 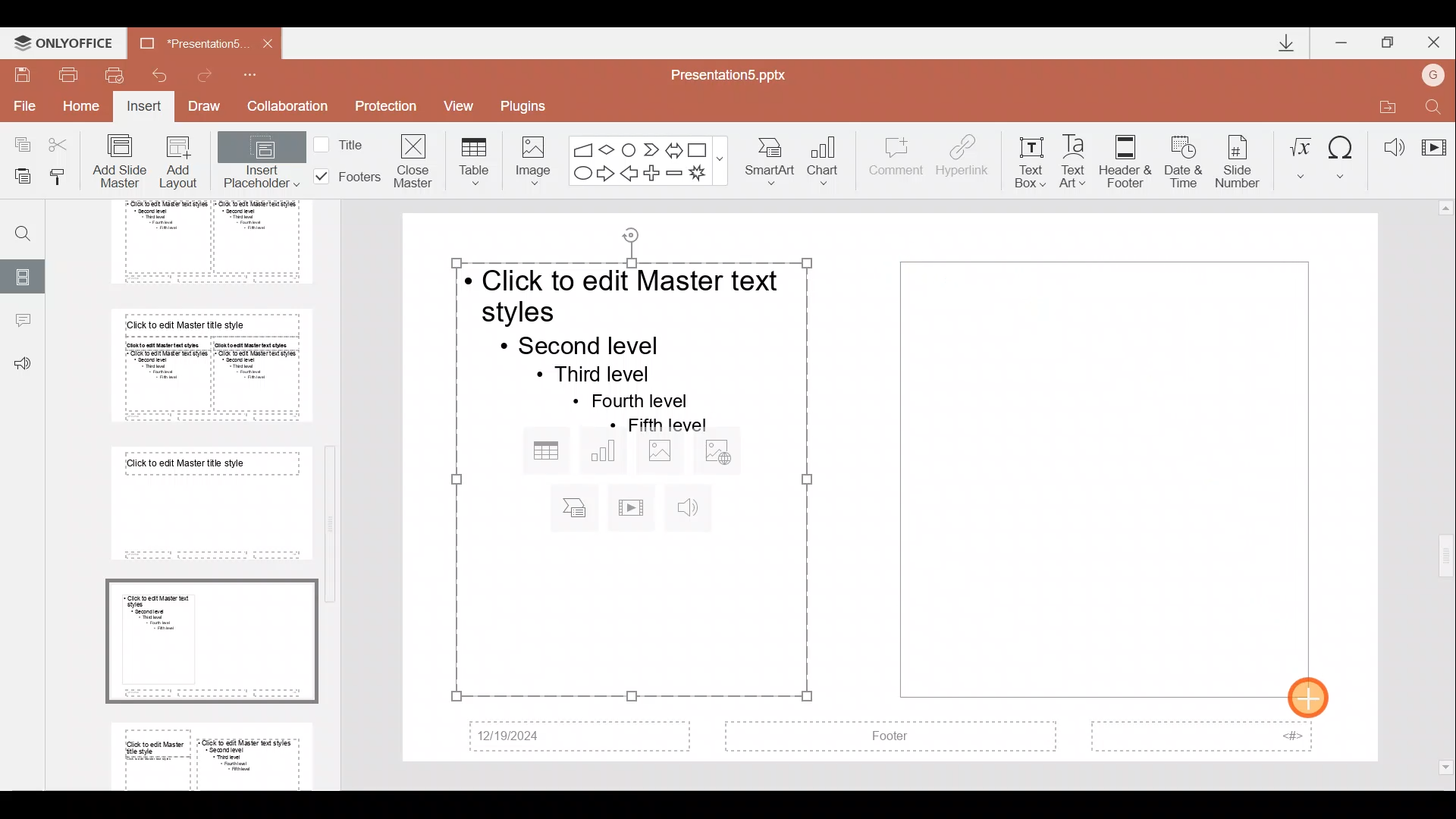 I want to click on Save, so click(x=23, y=73).